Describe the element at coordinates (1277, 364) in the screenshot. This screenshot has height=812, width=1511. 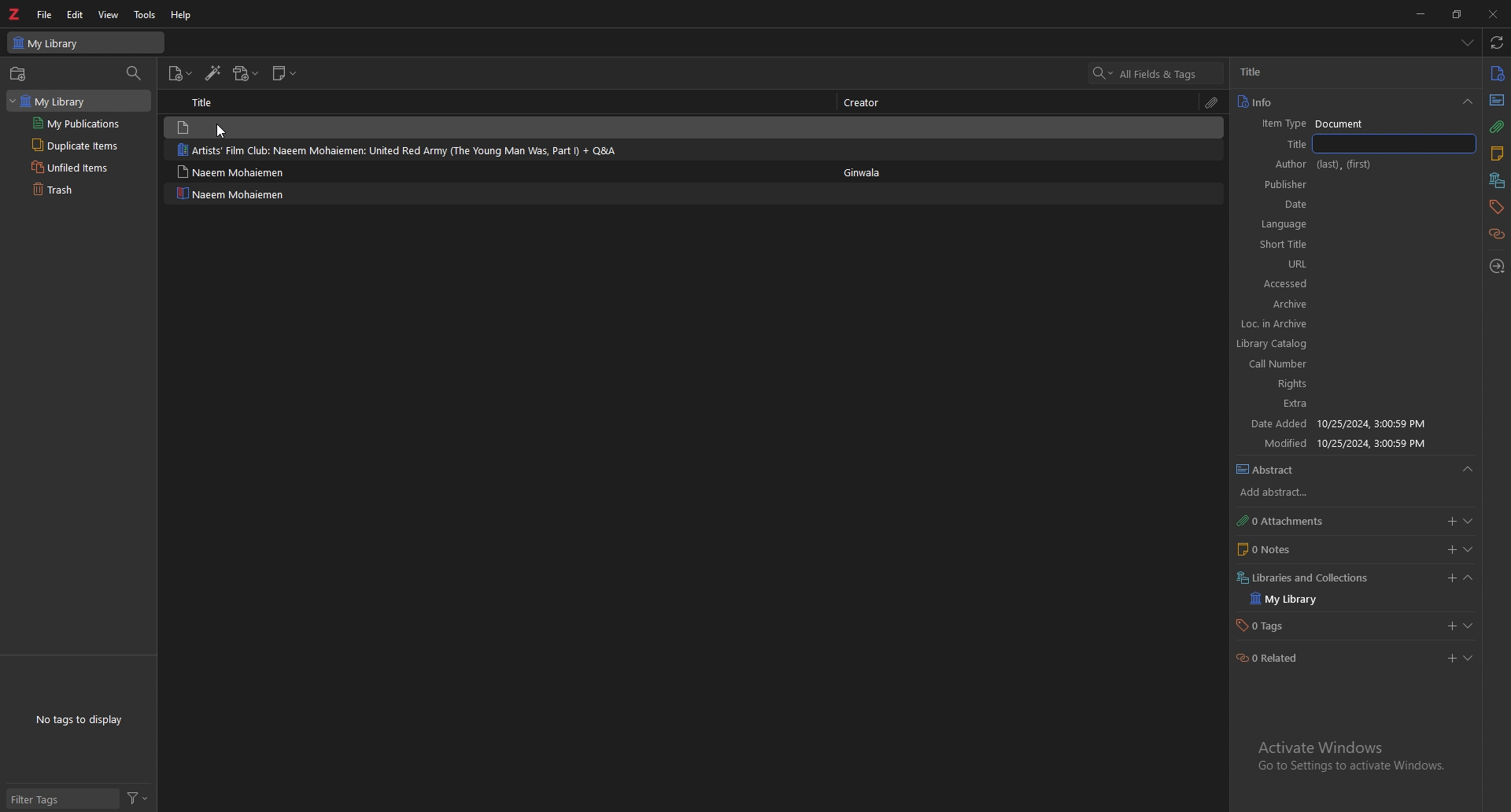
I see `pages` at that location.